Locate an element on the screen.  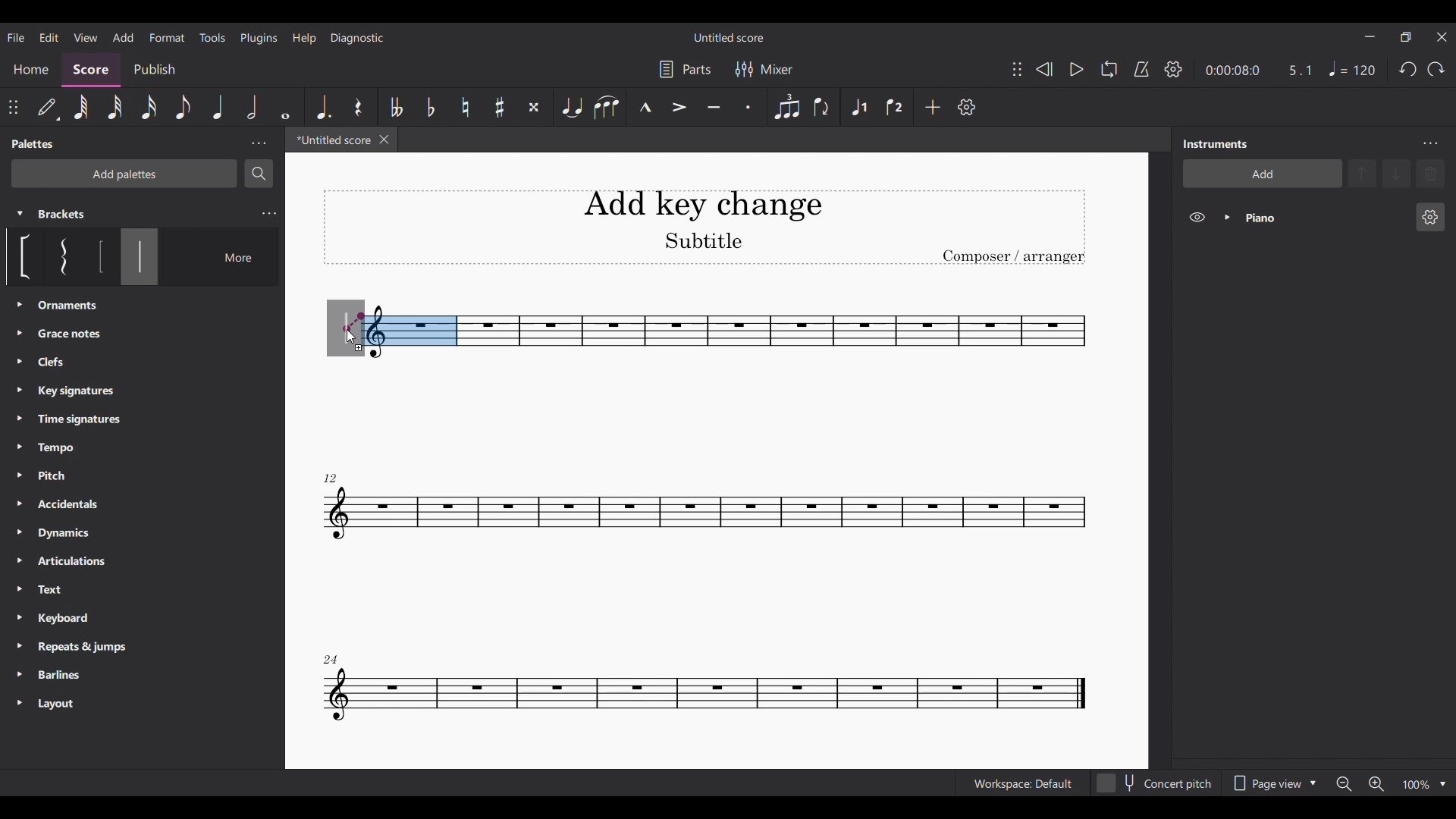
Flip direction is located at coordinates (821, 107).